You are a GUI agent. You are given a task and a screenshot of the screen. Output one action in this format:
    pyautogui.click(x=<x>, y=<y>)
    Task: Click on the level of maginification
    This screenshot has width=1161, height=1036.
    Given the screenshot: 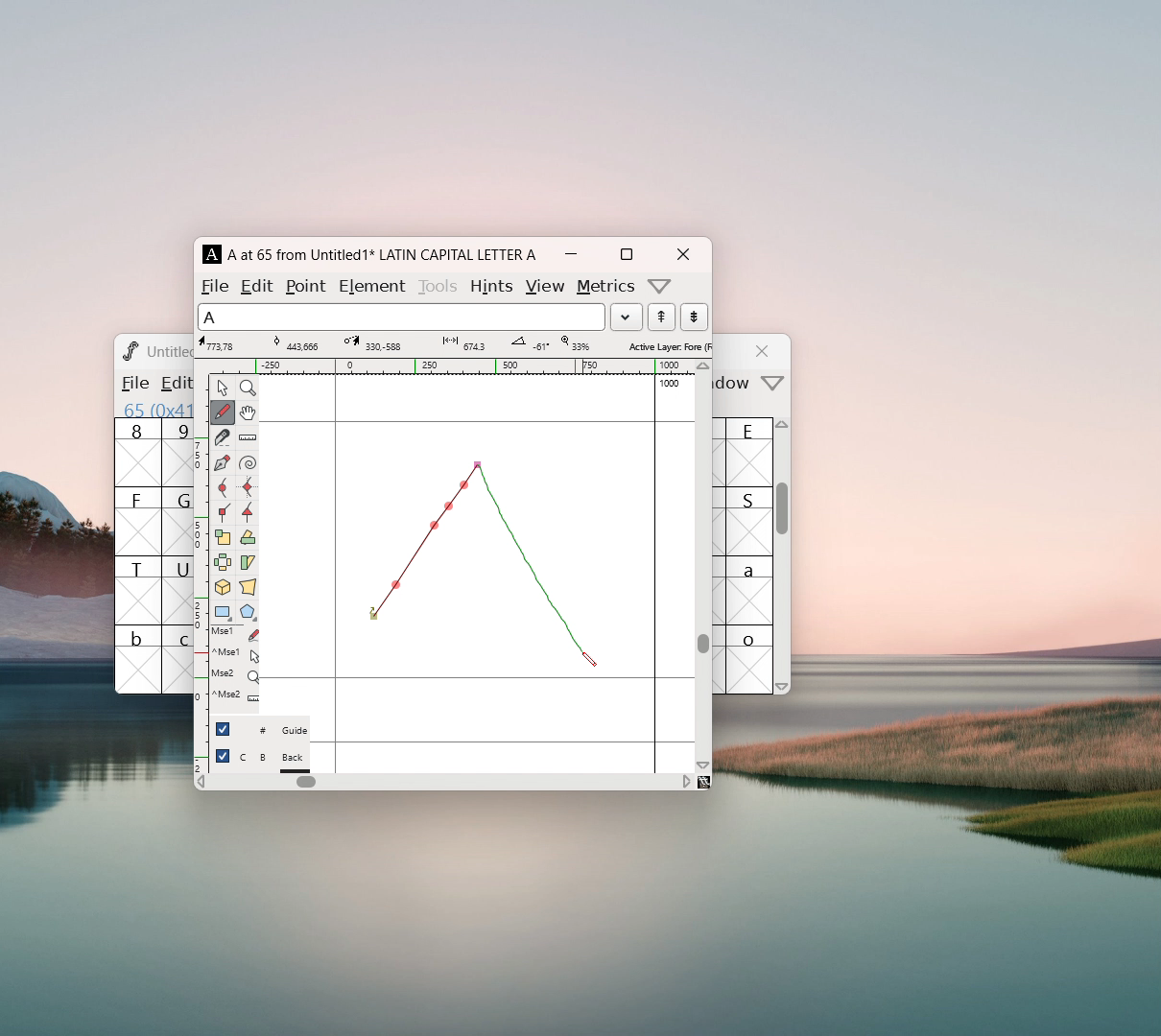 What is the action you would take?
    pyautogui.click(x=574, y=343)
    